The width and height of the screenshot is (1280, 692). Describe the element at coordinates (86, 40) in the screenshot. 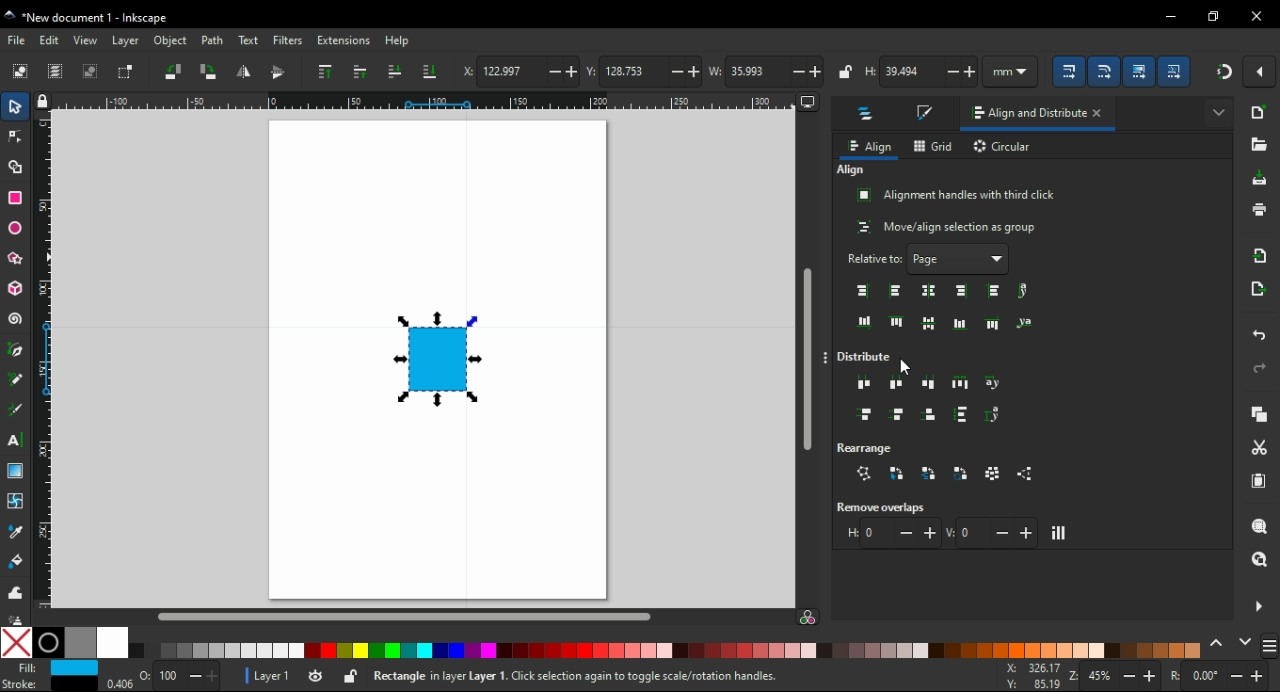

I see `view` at that location.